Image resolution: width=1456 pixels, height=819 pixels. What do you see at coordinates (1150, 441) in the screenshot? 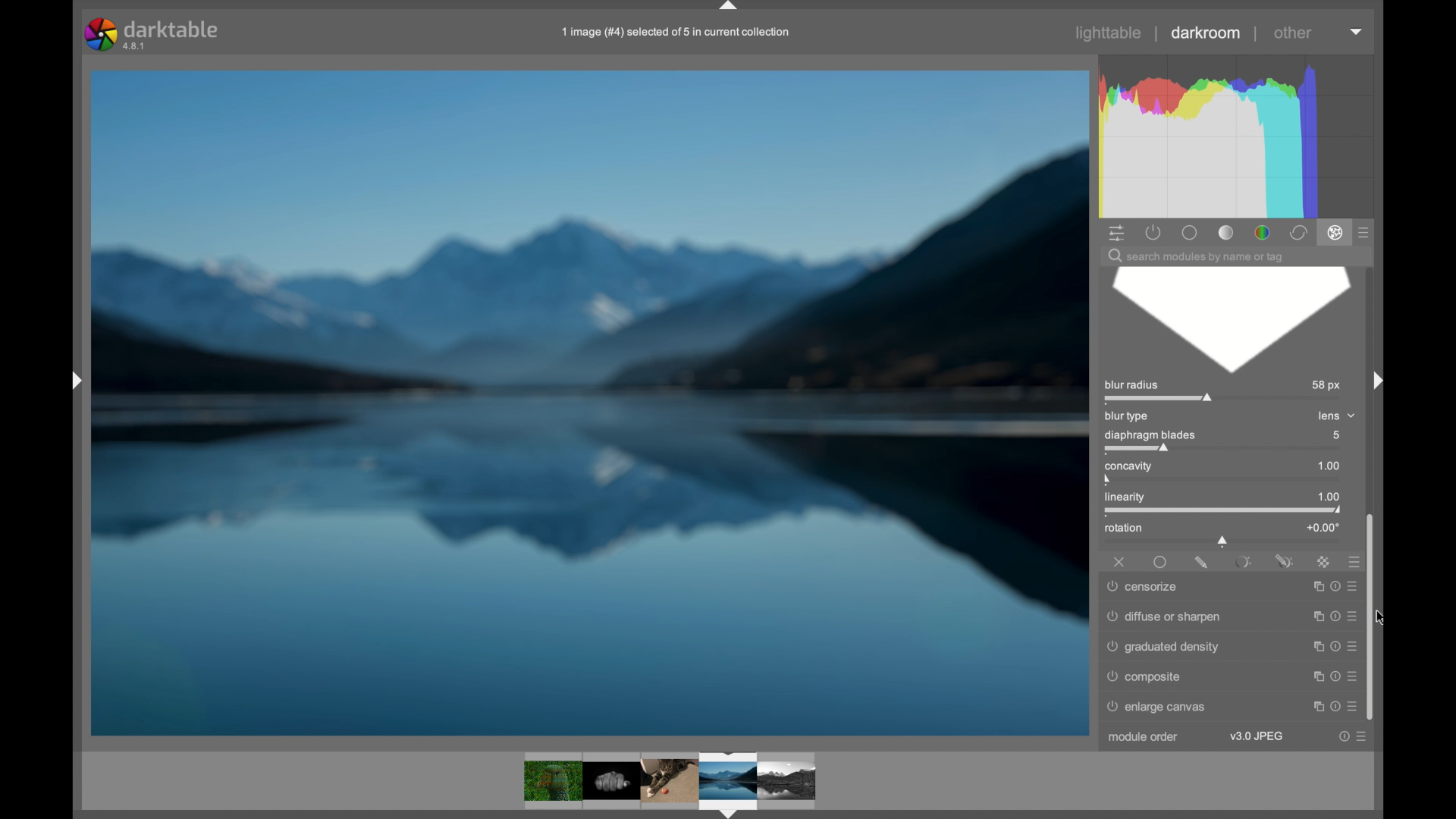
I see `diaphragm blades` at bounding box center [1150, 441].